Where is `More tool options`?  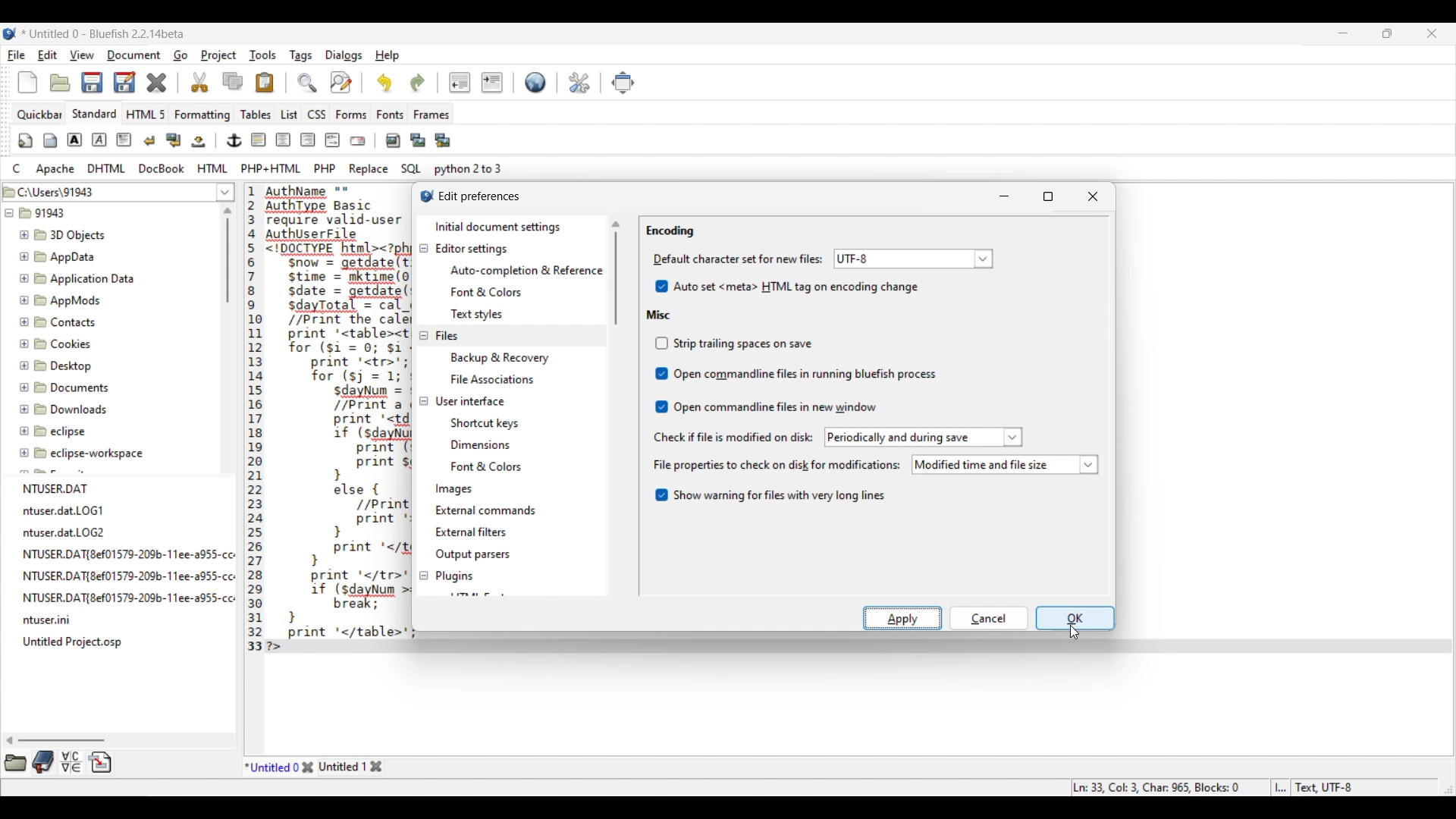 More tool options is located at coordinates (58, 761).